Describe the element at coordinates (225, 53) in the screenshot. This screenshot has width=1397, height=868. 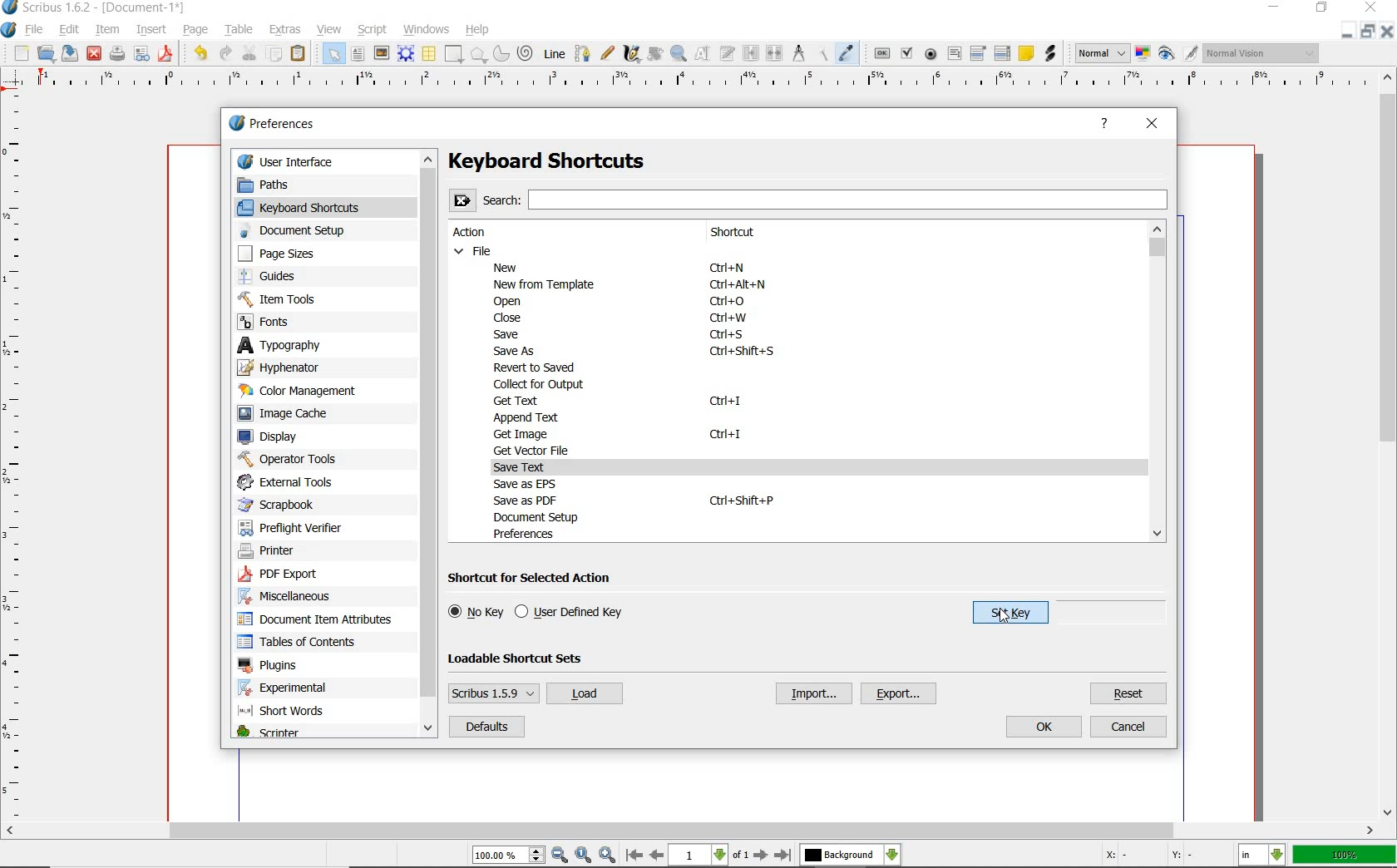
I see `redo` at that location.